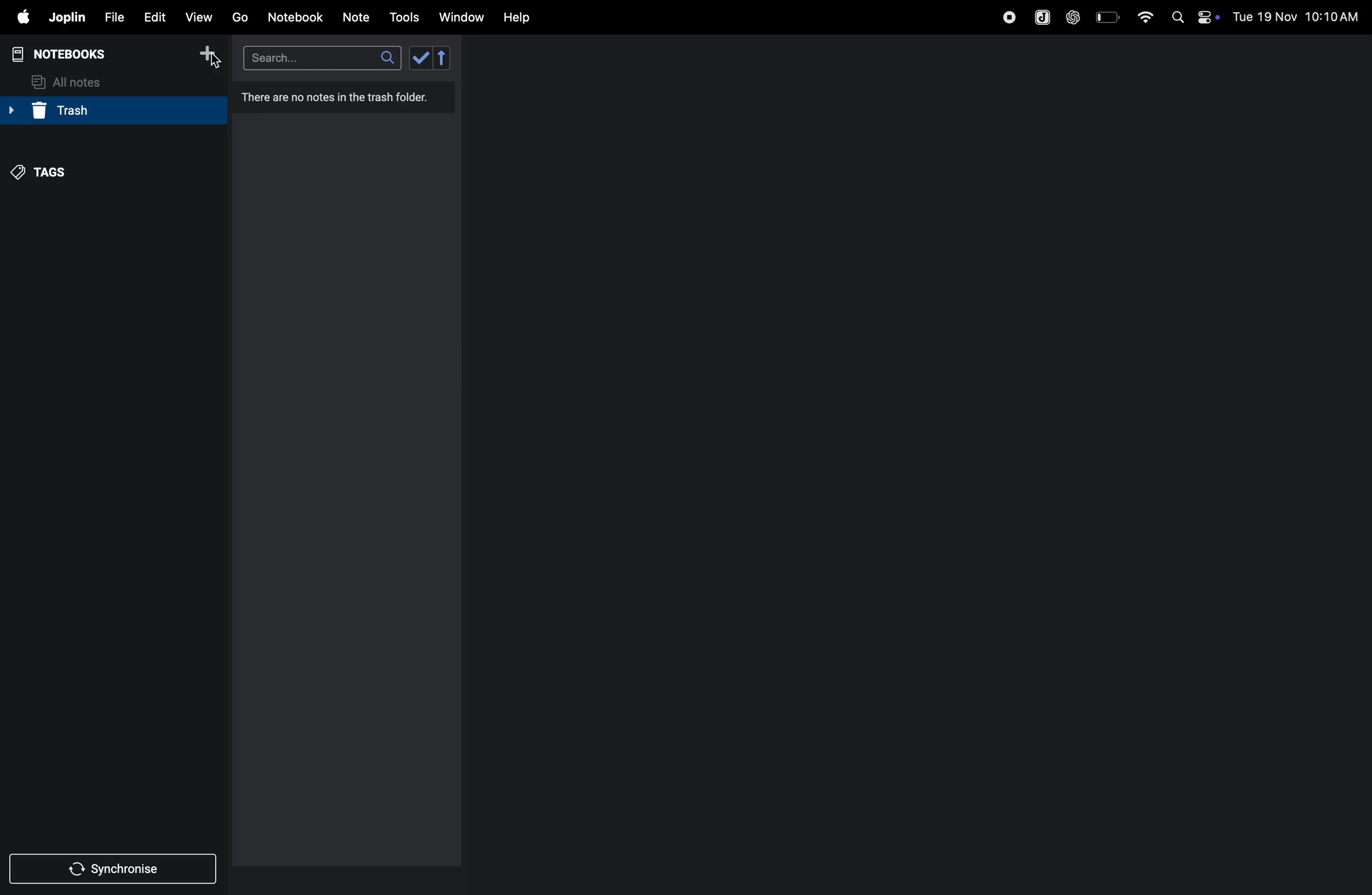 The image size is (1372, 895). What do you see at coordinates (299, 17) in the screenshot?
I see `Notebook` at bounding box center [299, 17].